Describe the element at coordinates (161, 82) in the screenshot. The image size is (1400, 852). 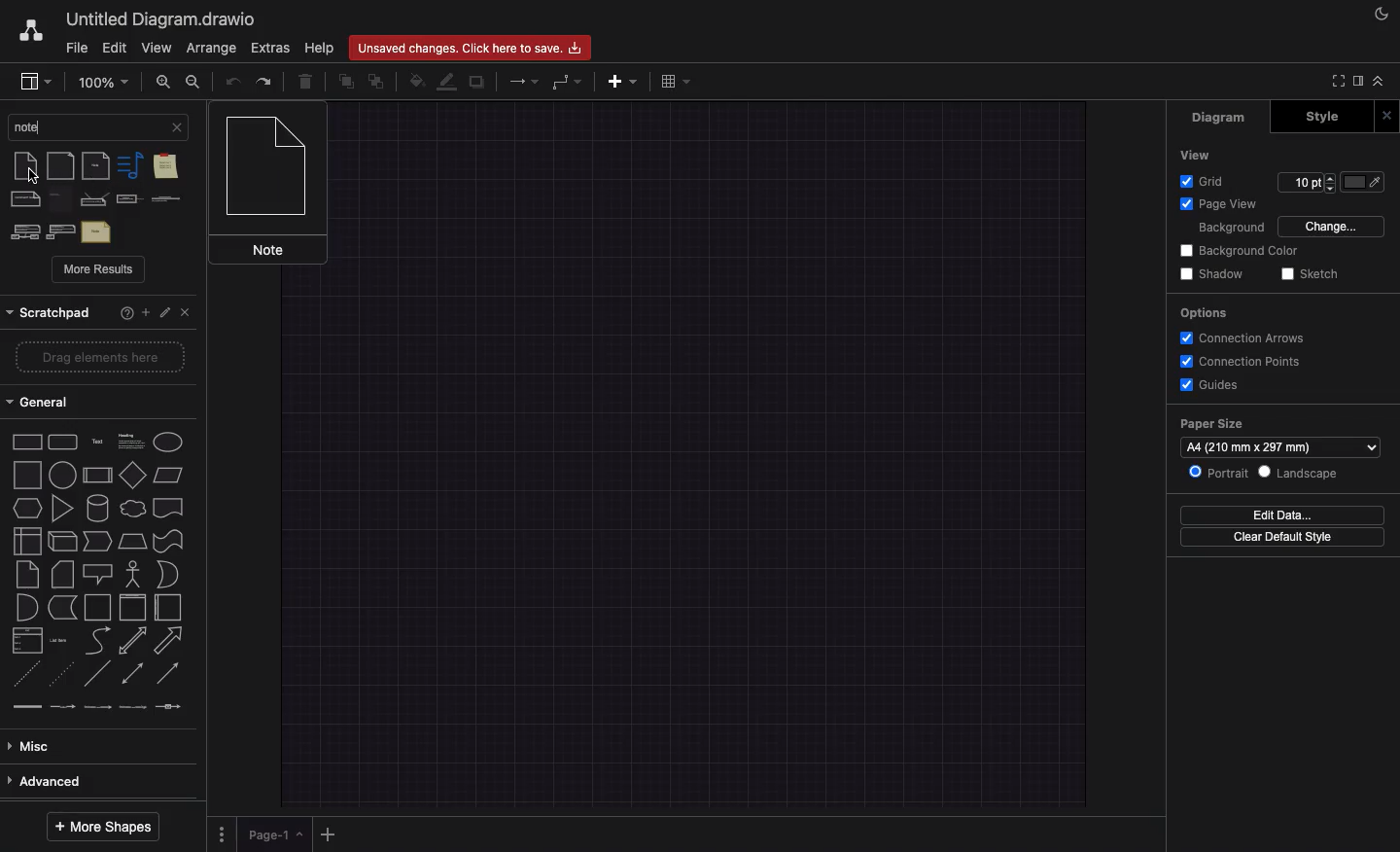
I see `Zoom in` at that location.